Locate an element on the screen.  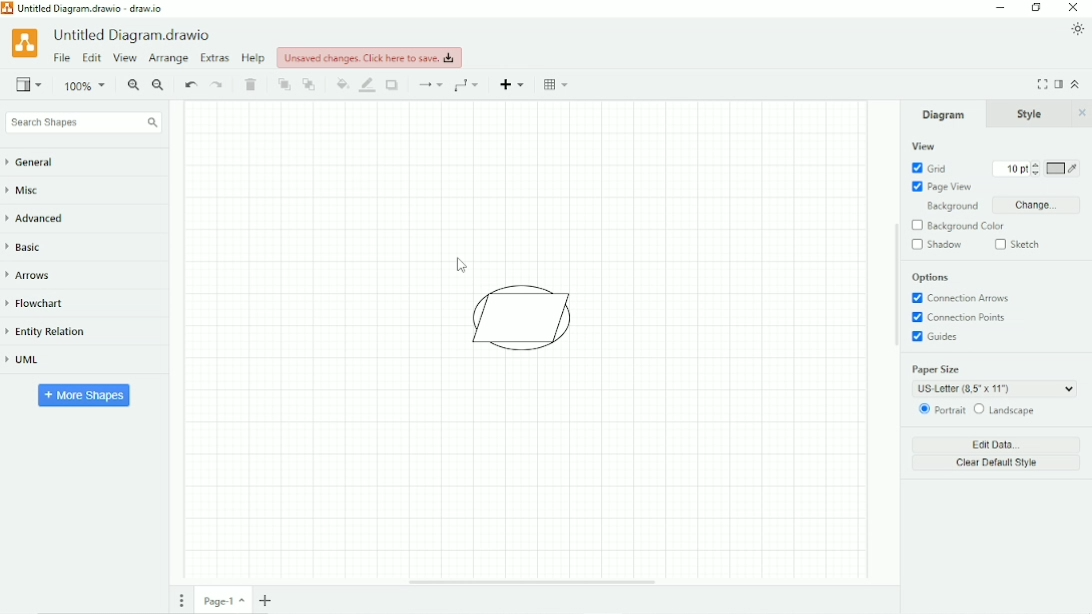
Format is located at coordinates (1059, 84).